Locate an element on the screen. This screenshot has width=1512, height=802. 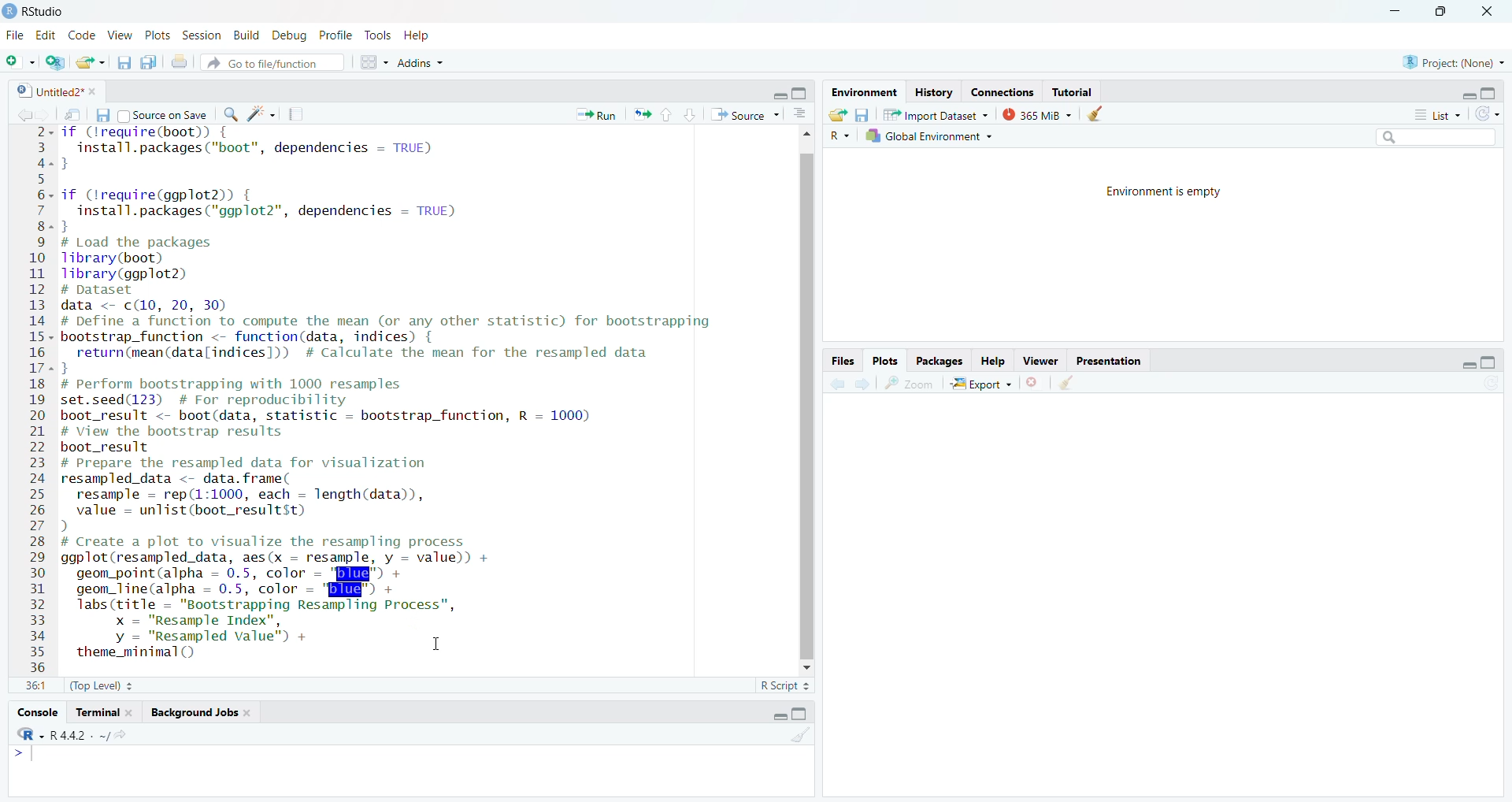
create new project is located at coordinates (54, 64).